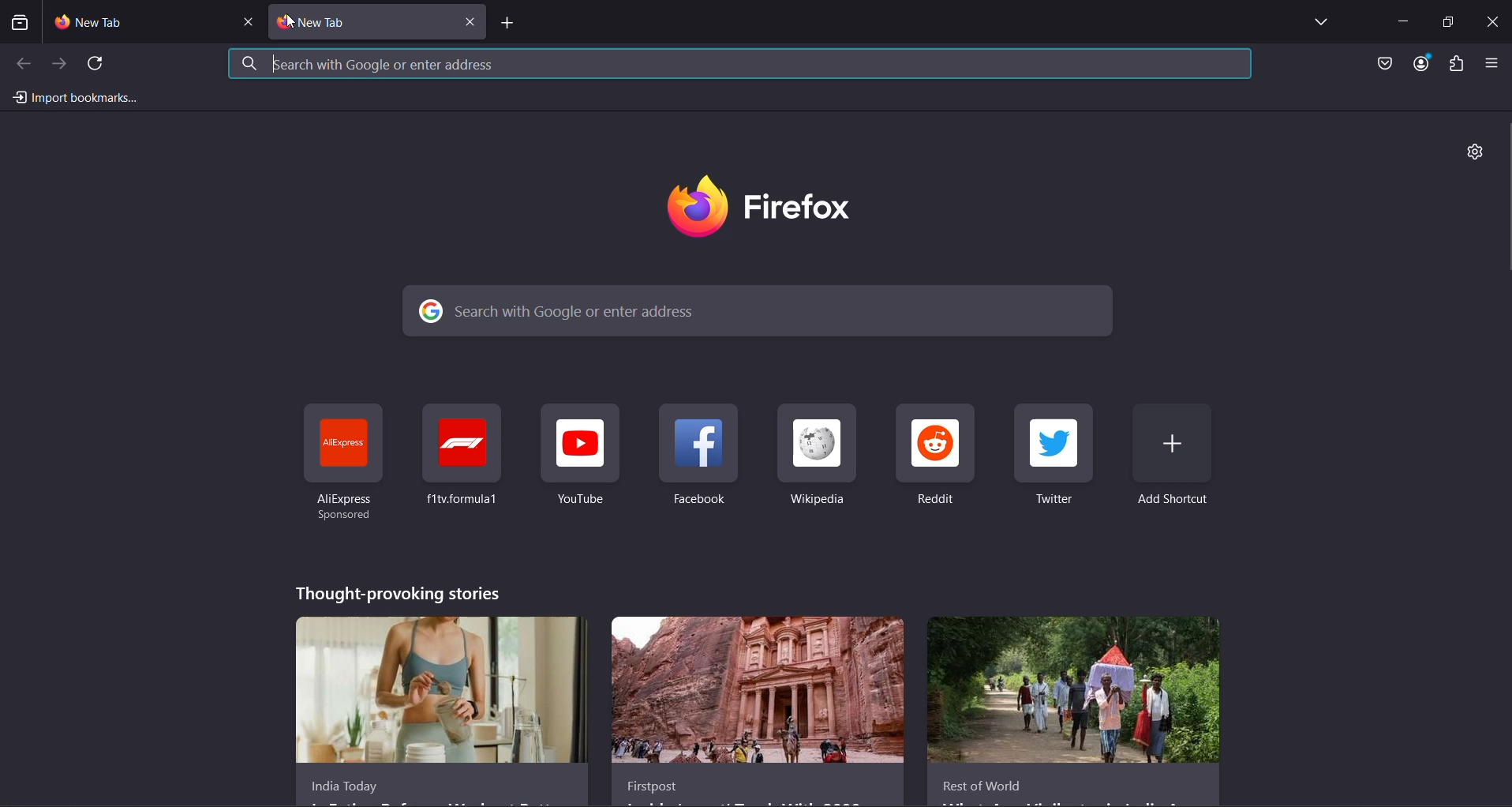 This screenshot has width=1512, height=807. I want to click on go forward one page, so click(62, 63).